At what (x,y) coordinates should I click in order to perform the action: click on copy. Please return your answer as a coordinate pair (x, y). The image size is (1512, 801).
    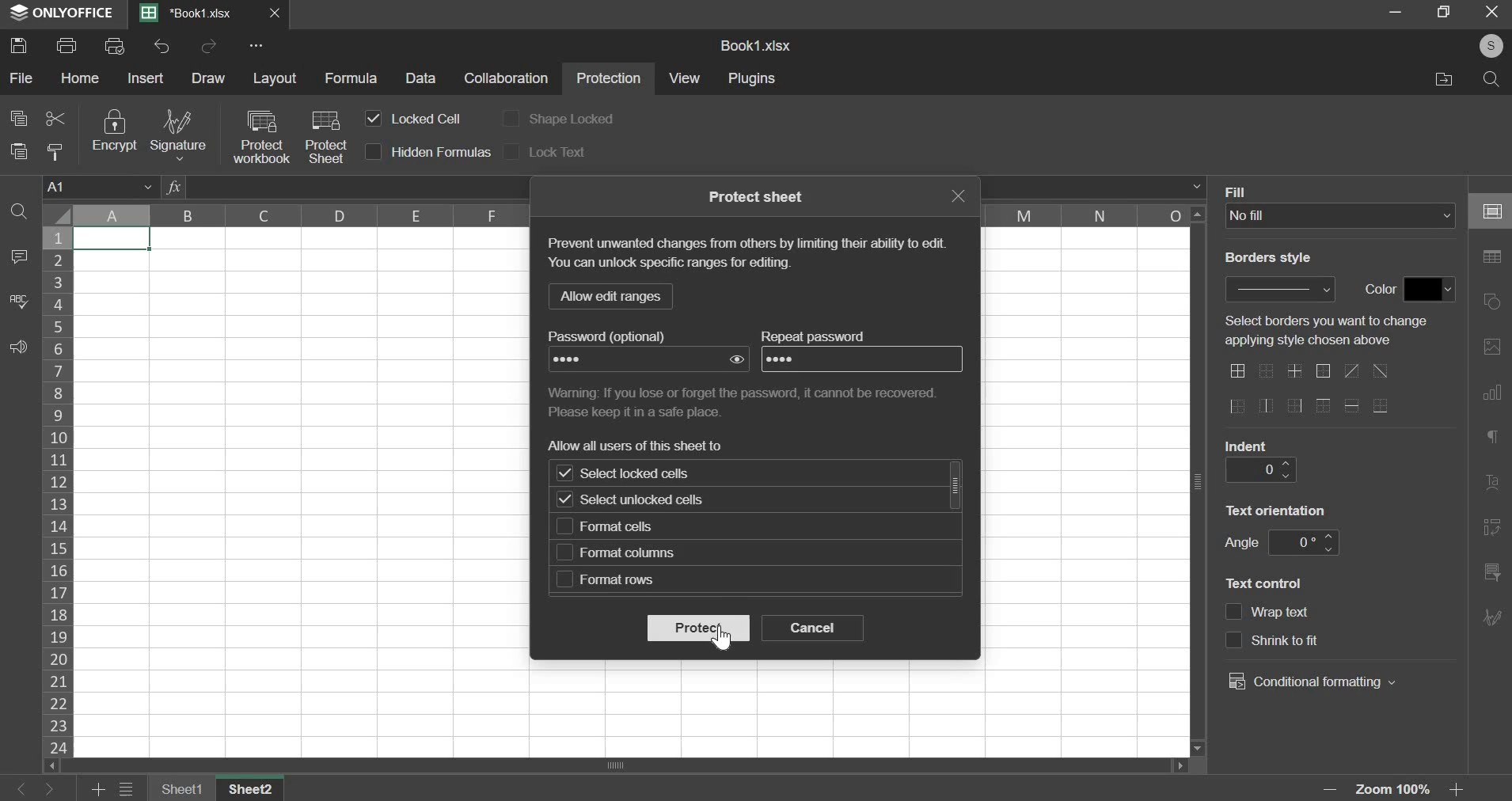
    Looking at the image, I should click on (18, 117).